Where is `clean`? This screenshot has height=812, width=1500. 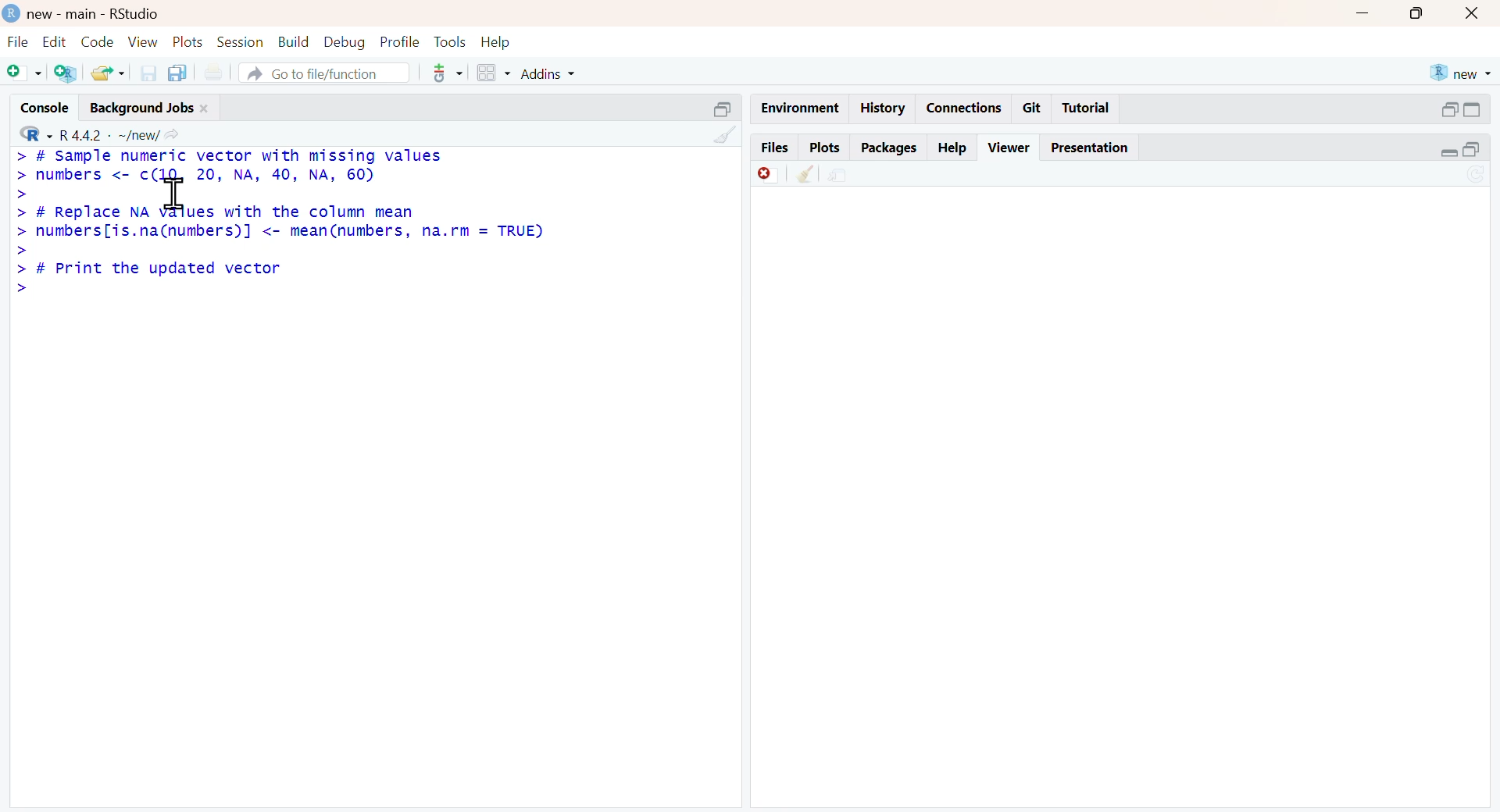
clean is located at coordinates (806, 175).